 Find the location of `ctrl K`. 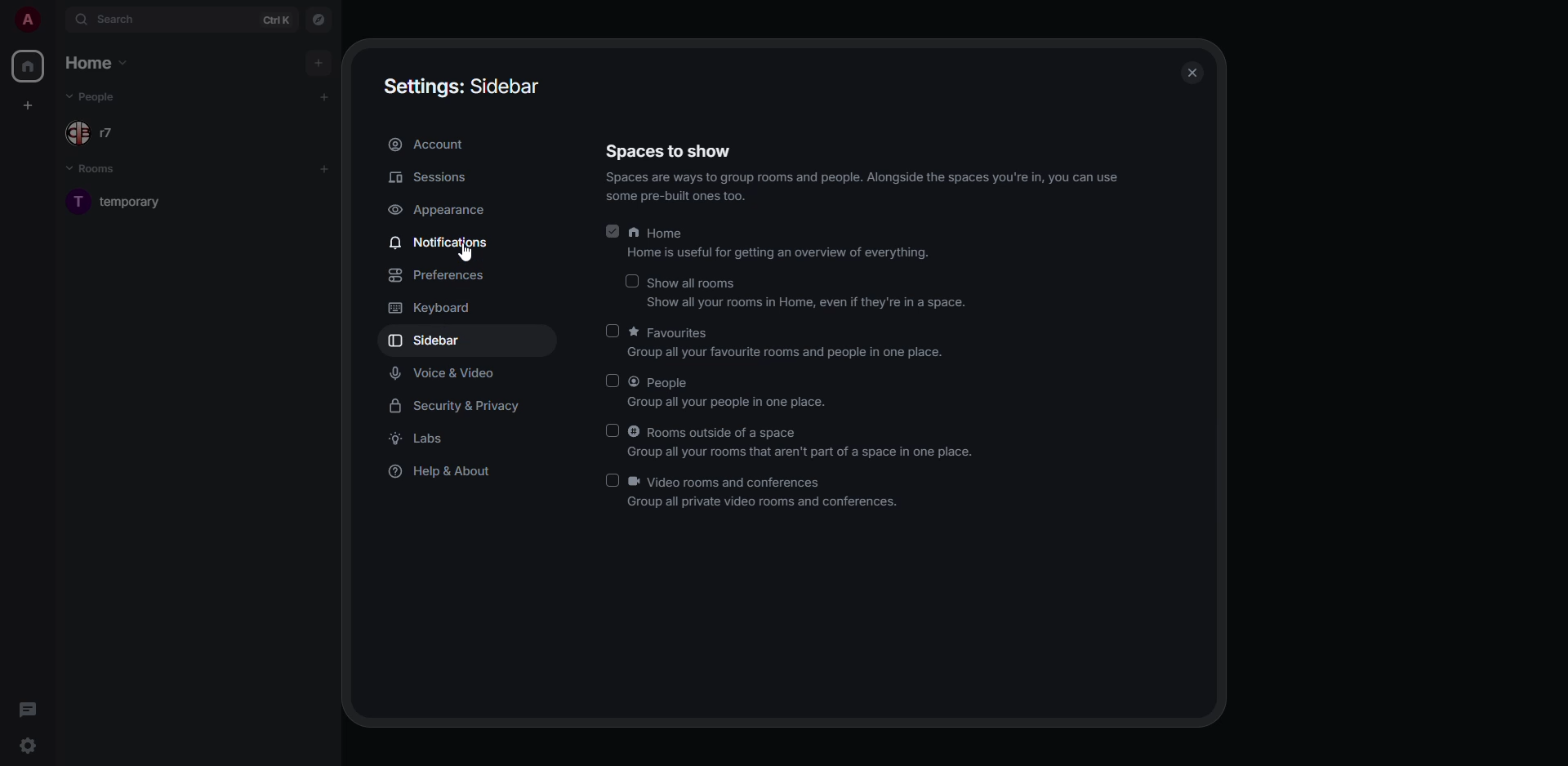

ctrl K is located at coordinates (277, 19).